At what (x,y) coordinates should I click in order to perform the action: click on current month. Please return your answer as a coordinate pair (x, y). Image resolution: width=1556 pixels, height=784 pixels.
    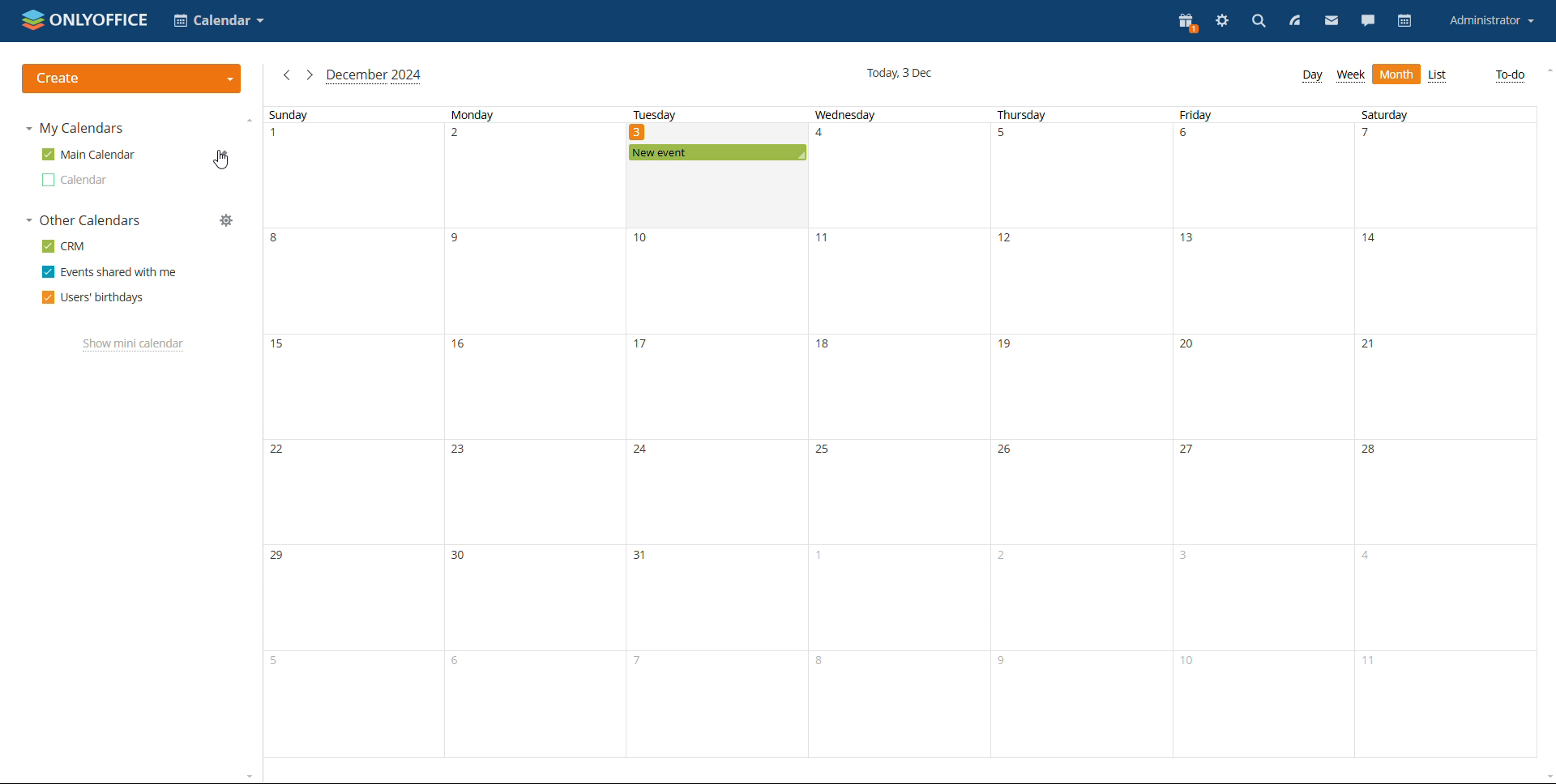
    Looking at the image, I should click on (374, 77).